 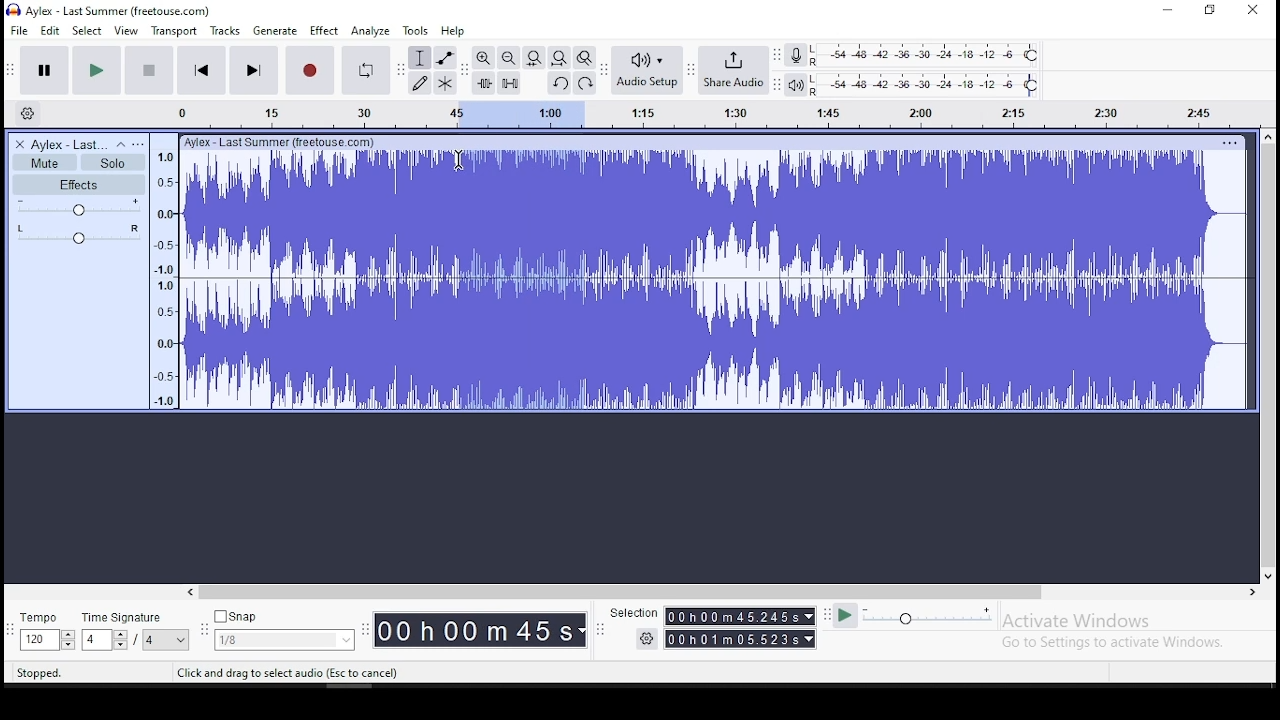 I want to click on pause, so click(x=42, y=70).